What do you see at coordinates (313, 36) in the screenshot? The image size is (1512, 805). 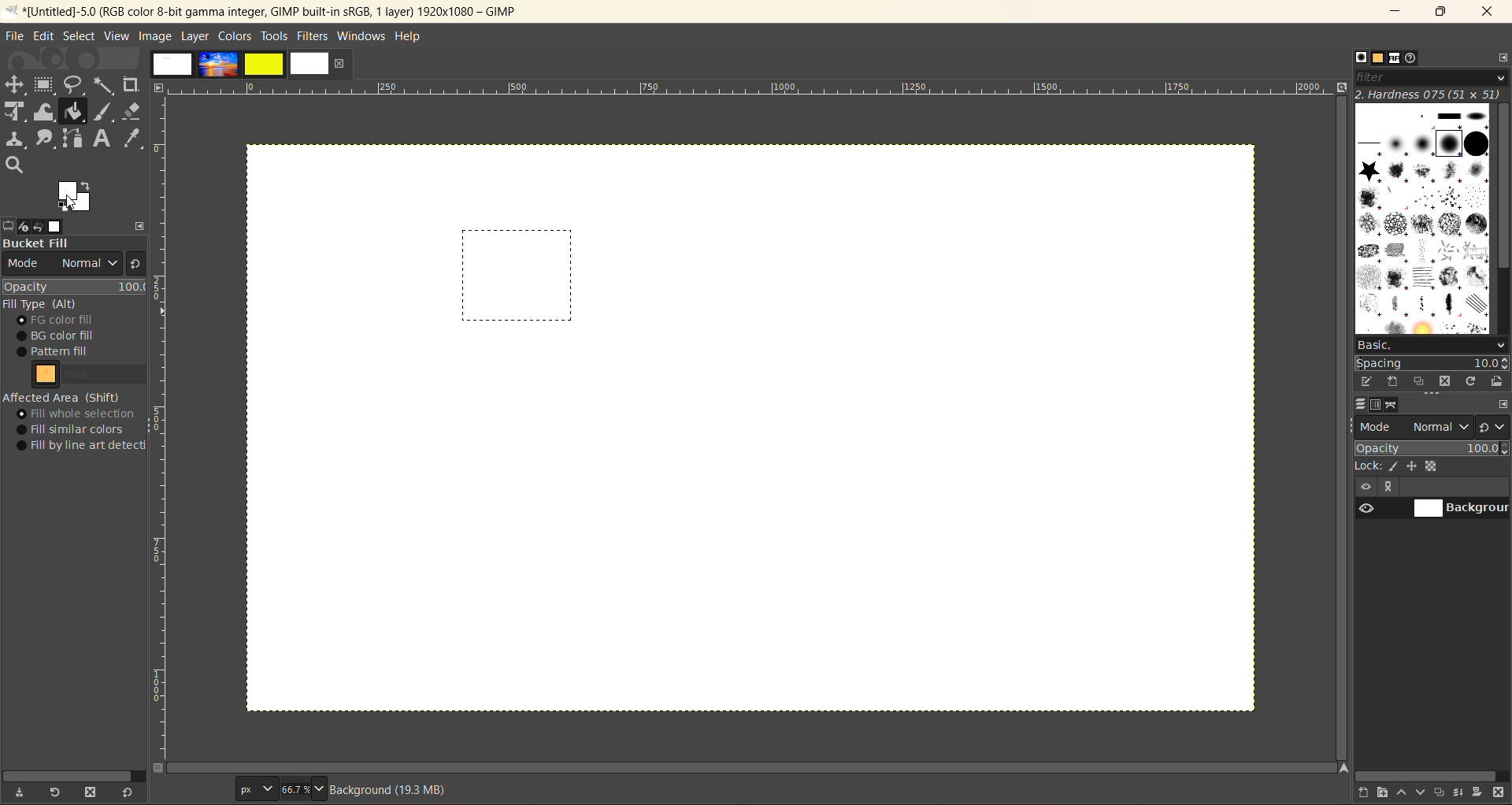 I see `filters` at bounding box center [313, 36].